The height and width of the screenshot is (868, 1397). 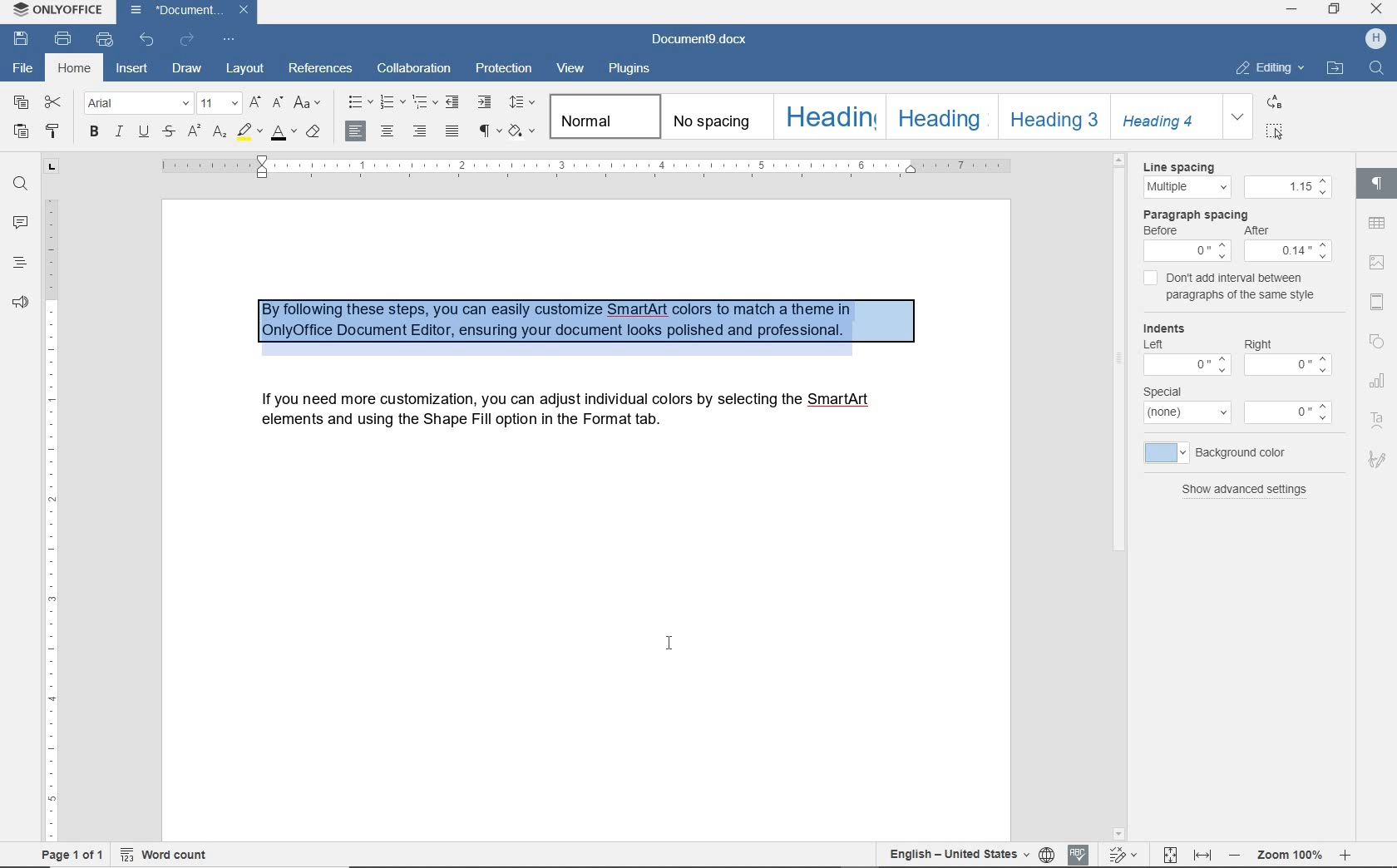 What do you see at coordinates (521, 102) in the screenshot?
I see `paragraph line spacing` at bounding box center [521, 102].